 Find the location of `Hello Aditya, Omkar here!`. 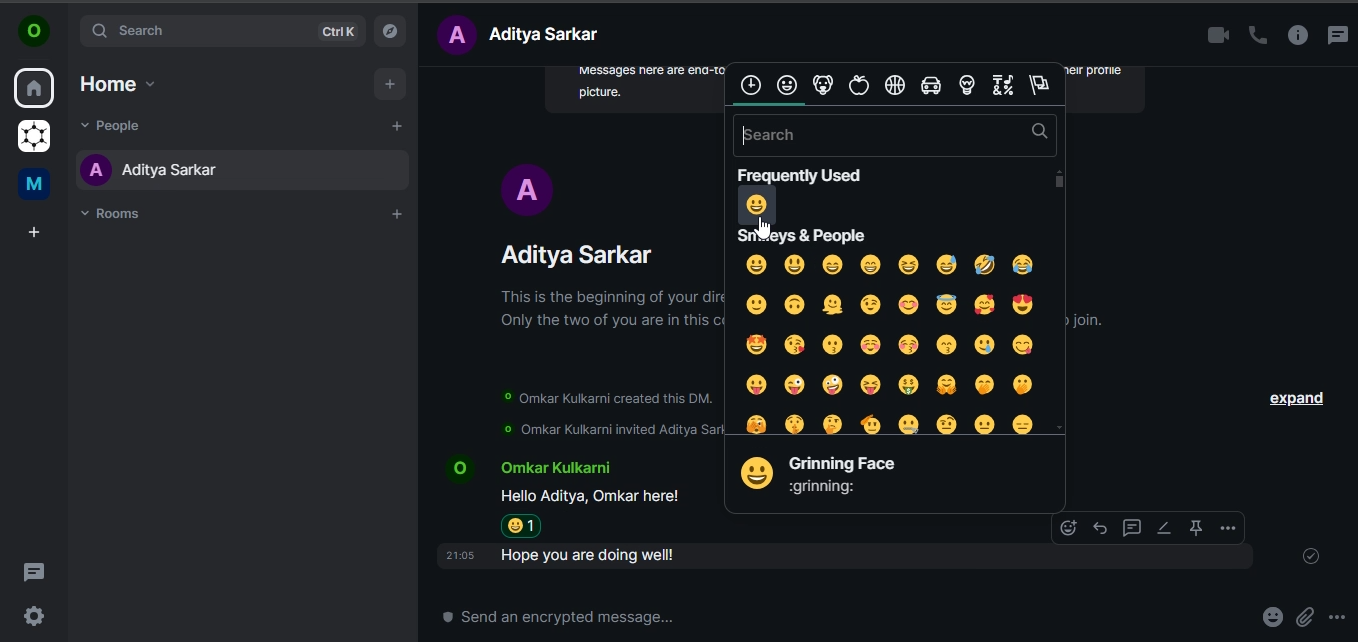

Hello Aditya, Omkar here! is located at coordinates (593, 496).